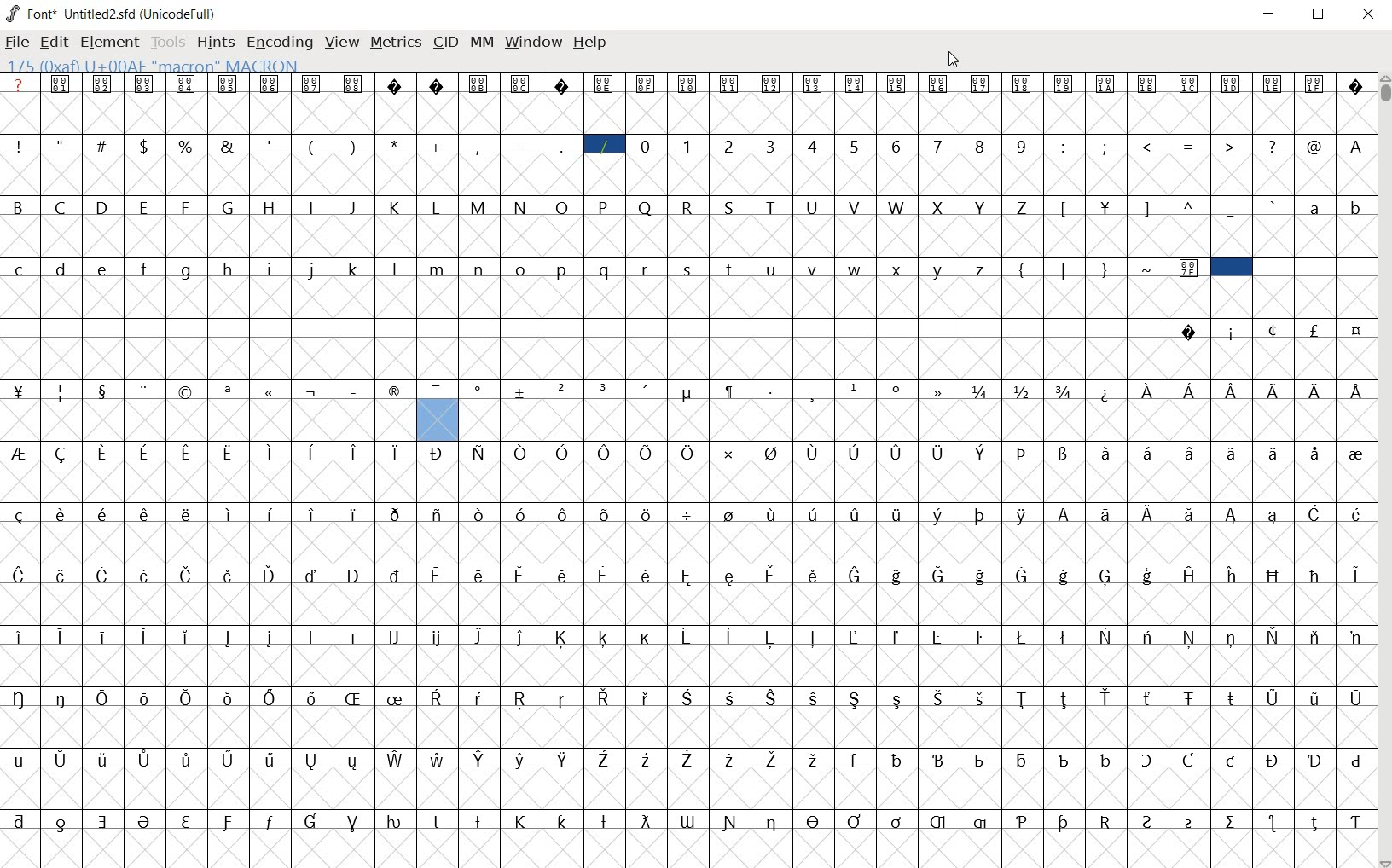  Describe the element at coordinates (813, 269) in the screenshot. I see `v` at that location.